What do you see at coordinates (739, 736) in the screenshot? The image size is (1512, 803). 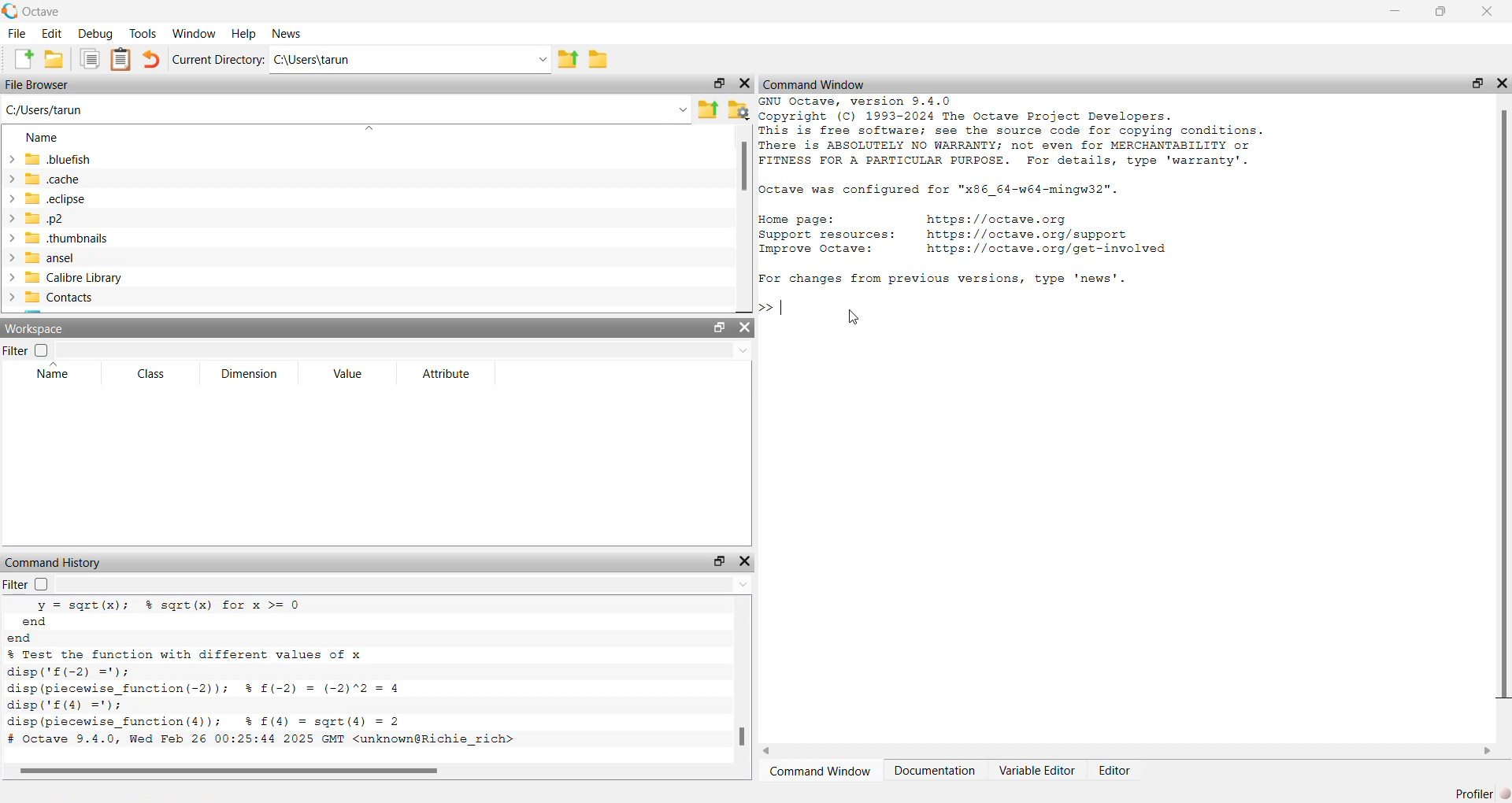 I see `Scrollbar` at bounding box center [739, 736].